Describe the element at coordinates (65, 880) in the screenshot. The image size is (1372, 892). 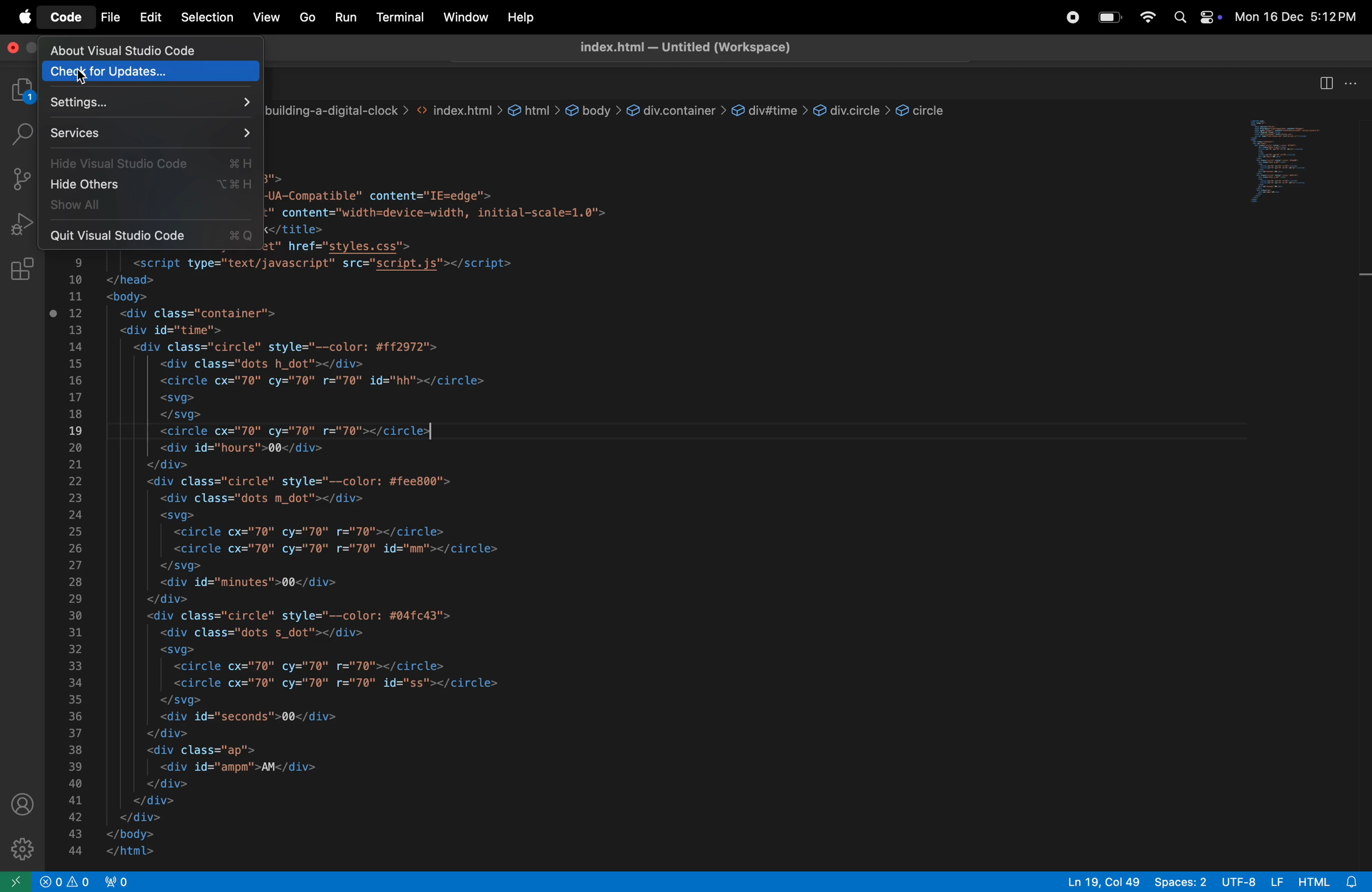
I see `alert` at that location.